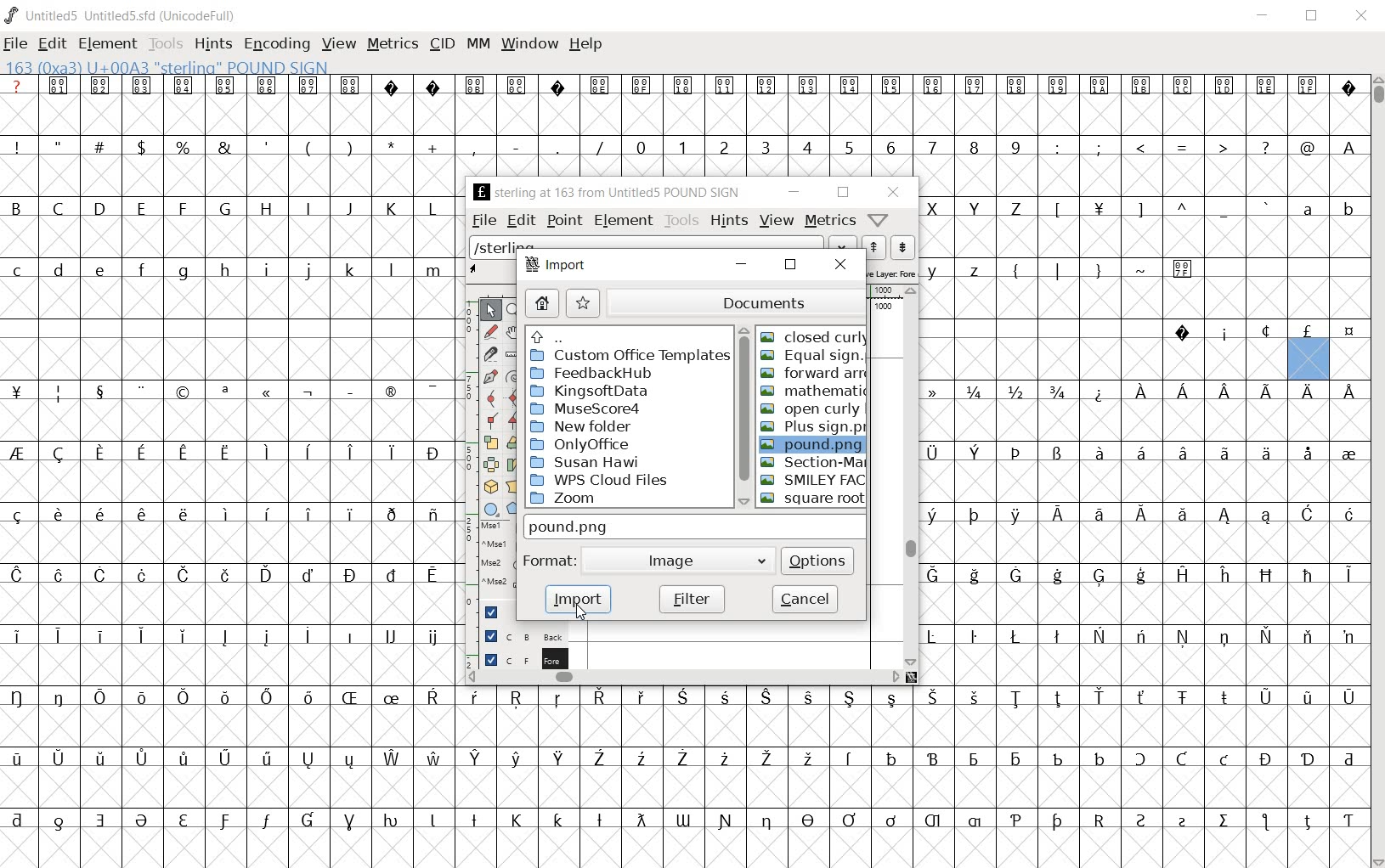 The width and height of the screenshot is (1385, 868). I want to click on Symbol, so click(97, 634).